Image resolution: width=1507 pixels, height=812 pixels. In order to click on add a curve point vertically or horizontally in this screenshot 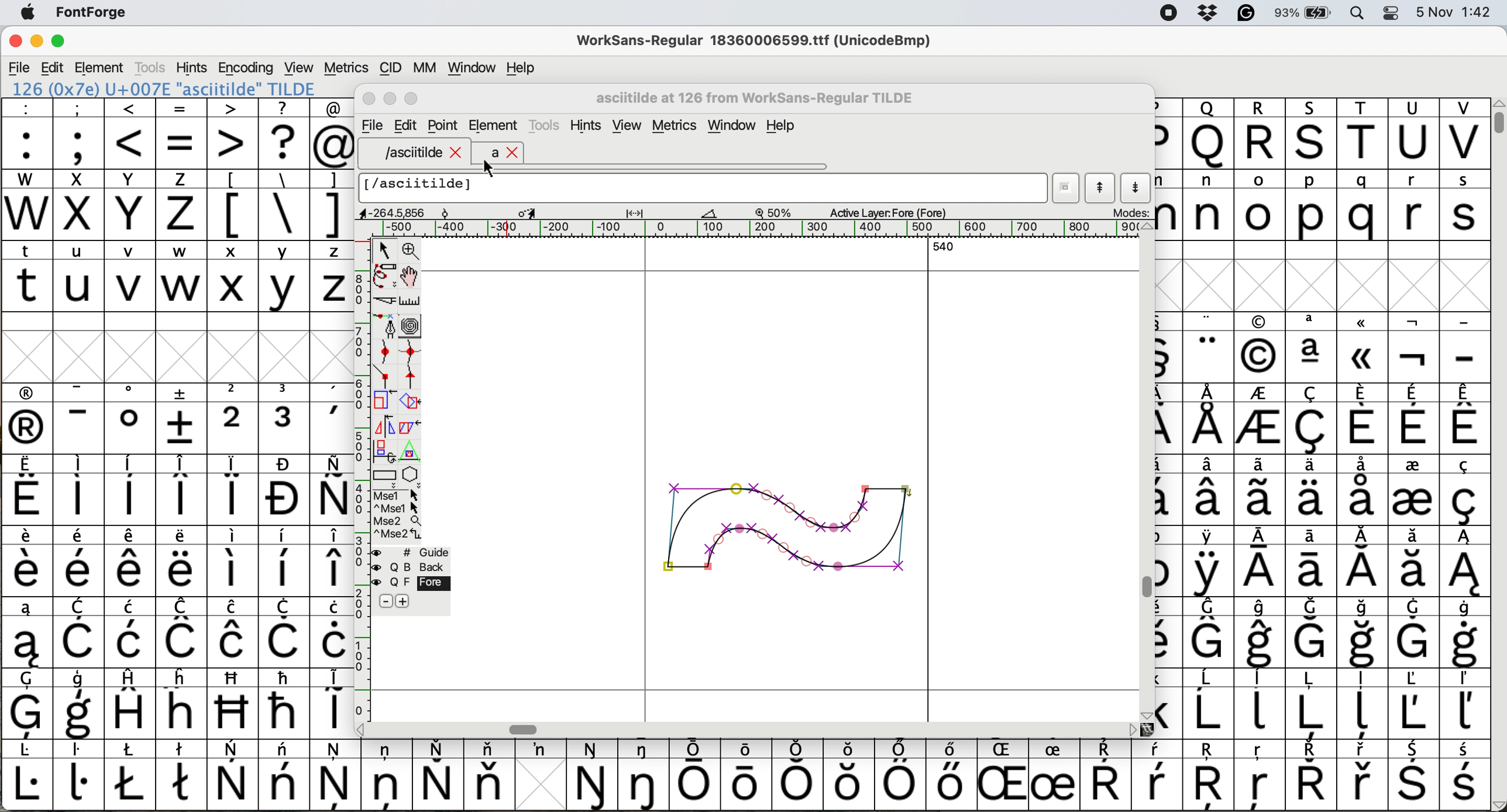, I will do `click(414, 352)`.